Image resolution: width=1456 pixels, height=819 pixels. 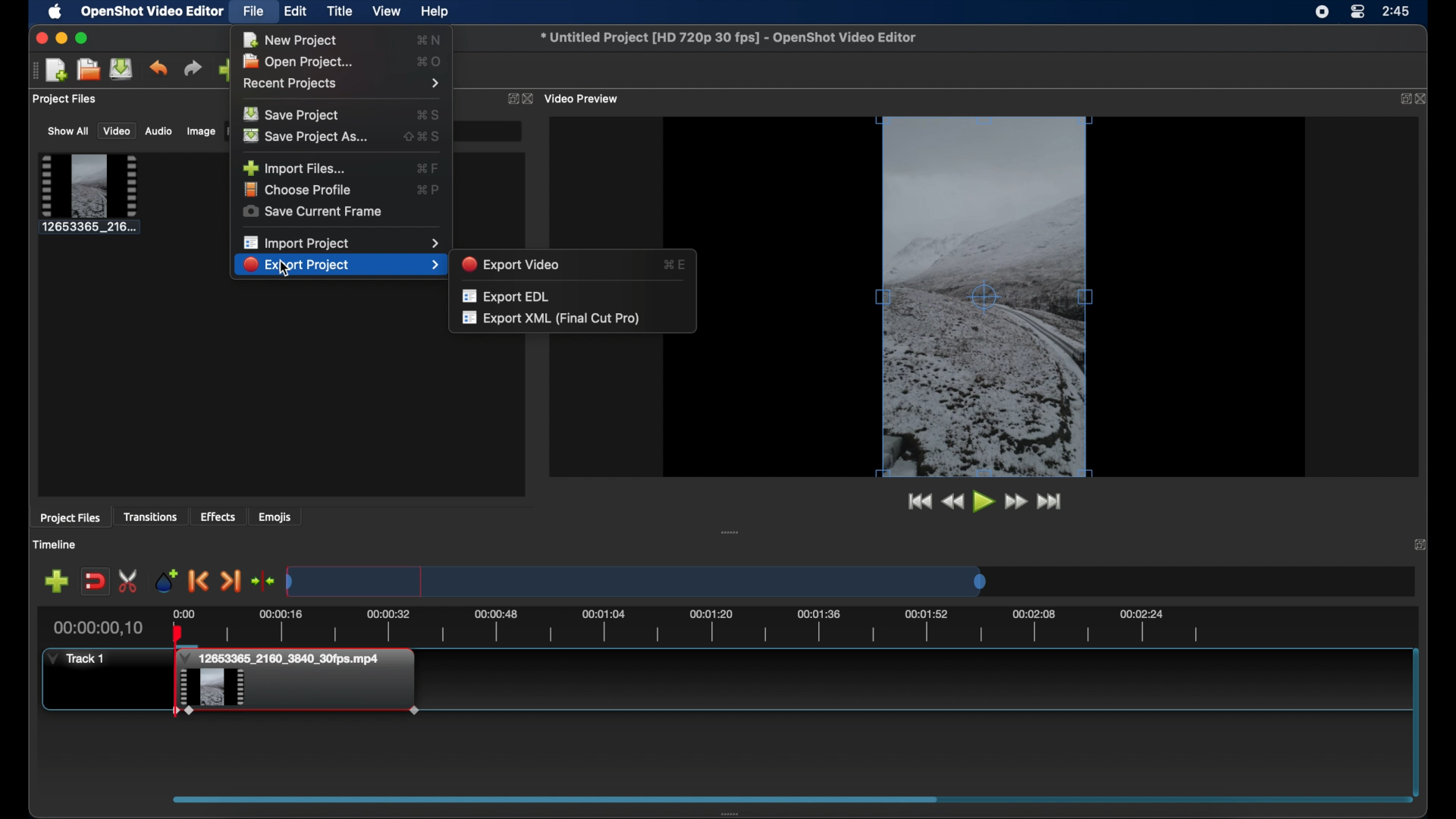 What do you see at coordinates (308, 136) in the screenshot?
I see `save project as` at bounding box center [308, 136].